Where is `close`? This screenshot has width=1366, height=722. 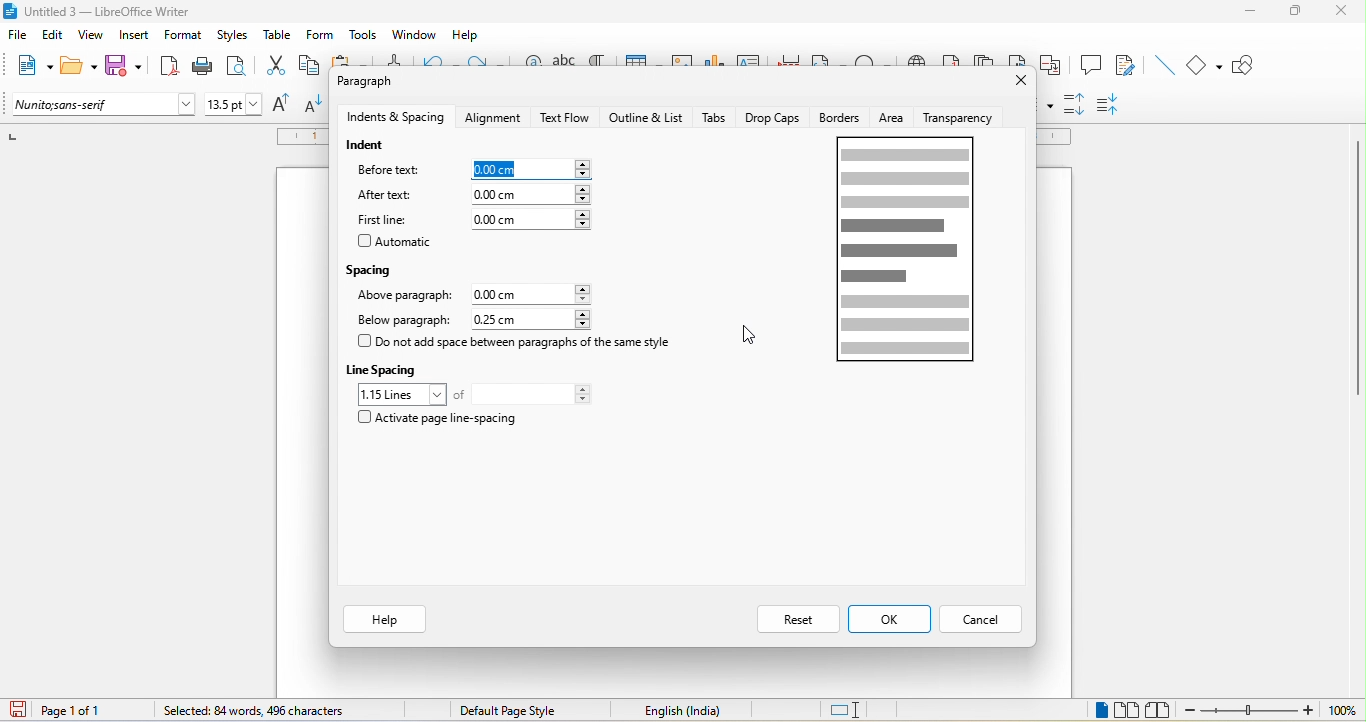 close is located at coordinates (1338, 10).